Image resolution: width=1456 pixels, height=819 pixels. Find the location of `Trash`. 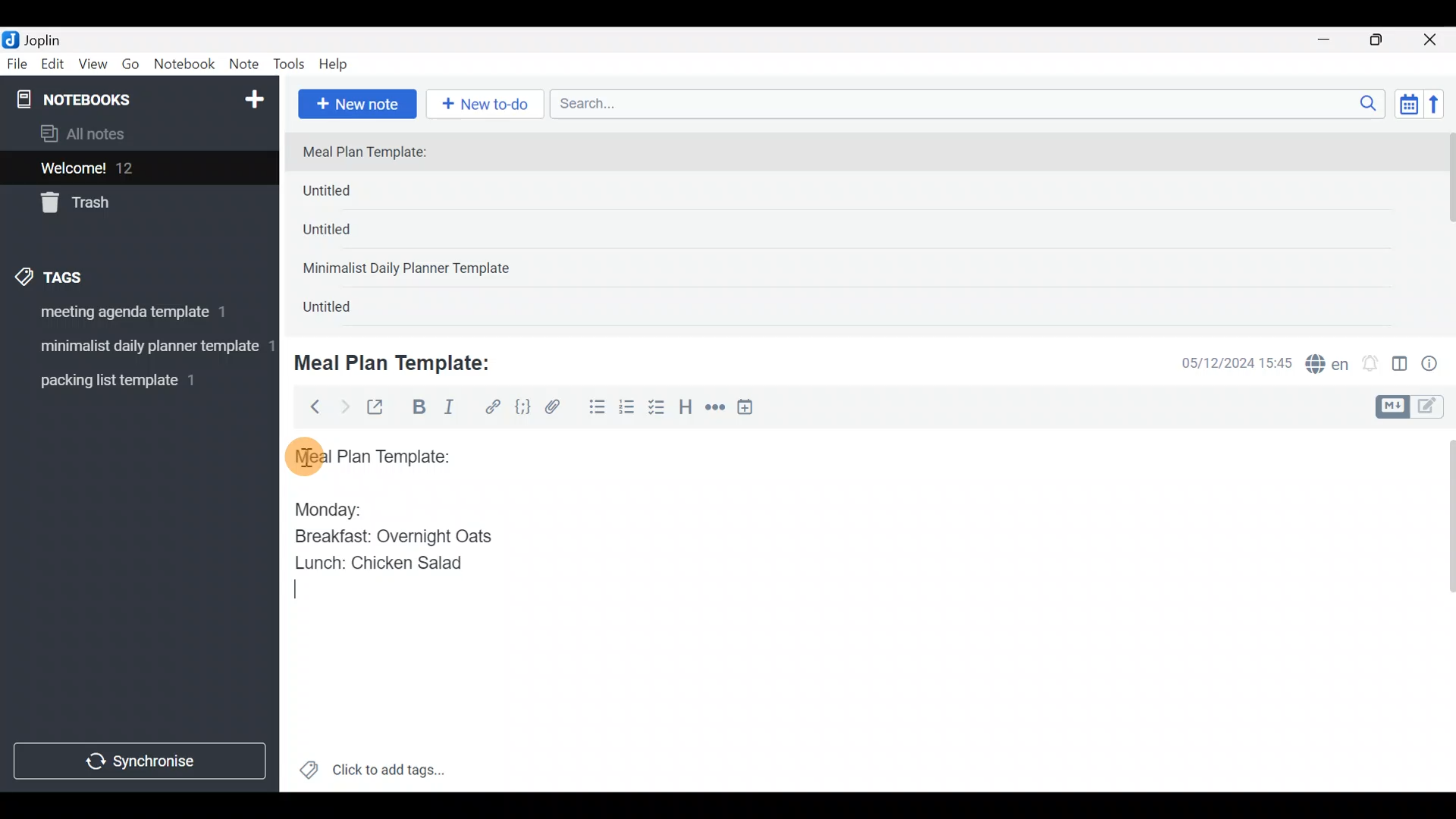

Trash is located at coordinates (130, 204).